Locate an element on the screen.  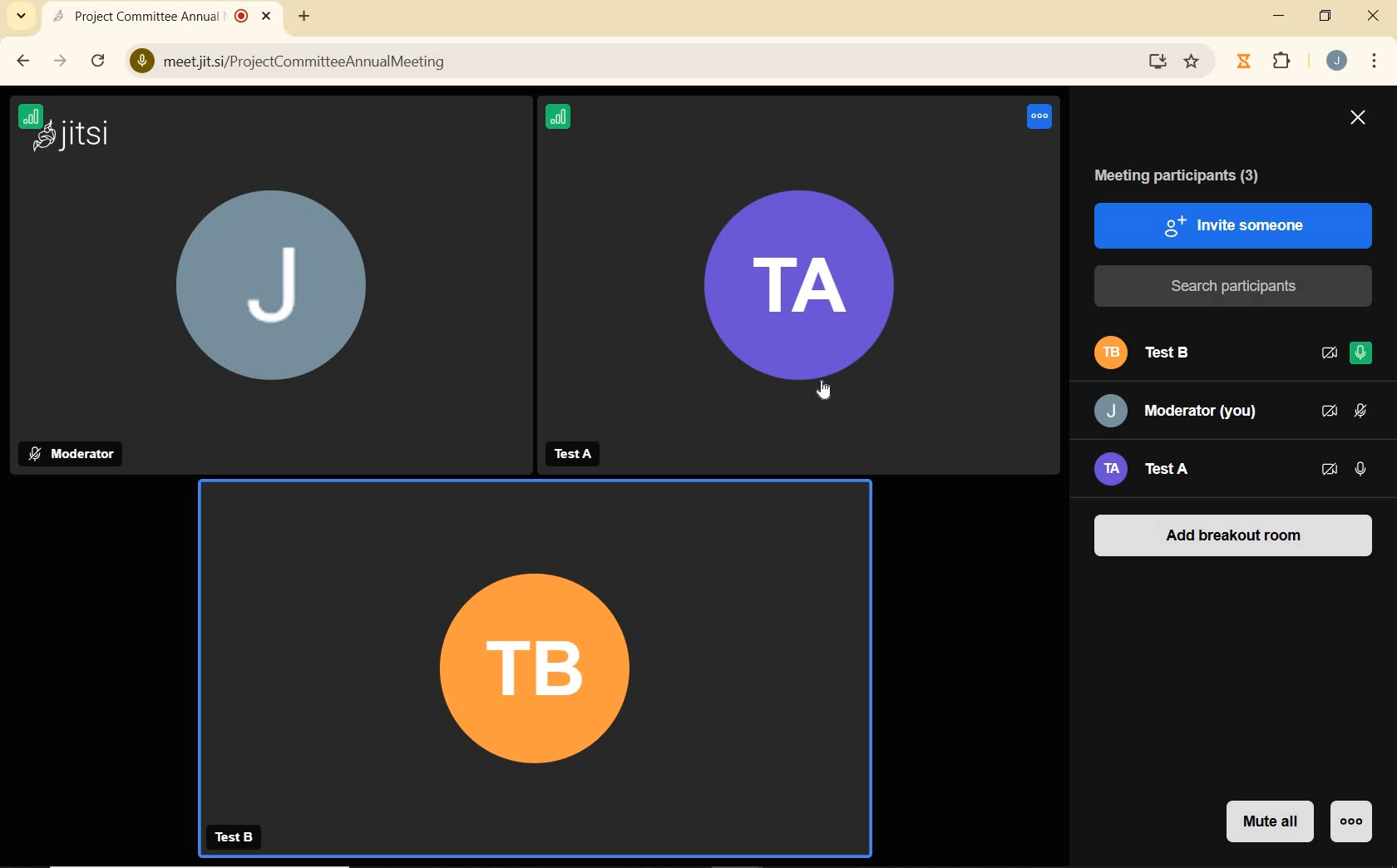
jitsi is located at coordinates (86, 134).